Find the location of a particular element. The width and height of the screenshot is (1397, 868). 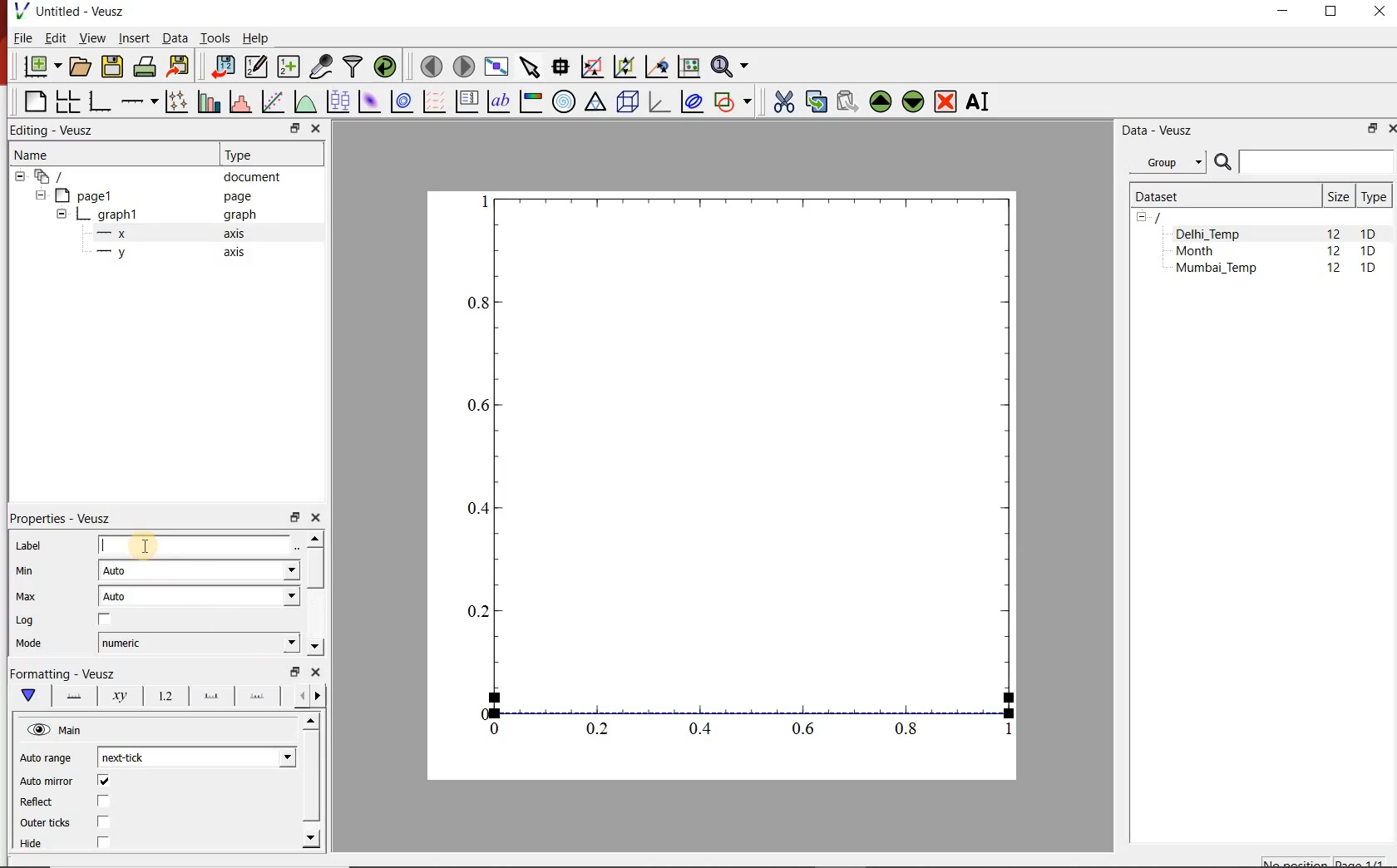

cursor is located at coordinates (147, 544).